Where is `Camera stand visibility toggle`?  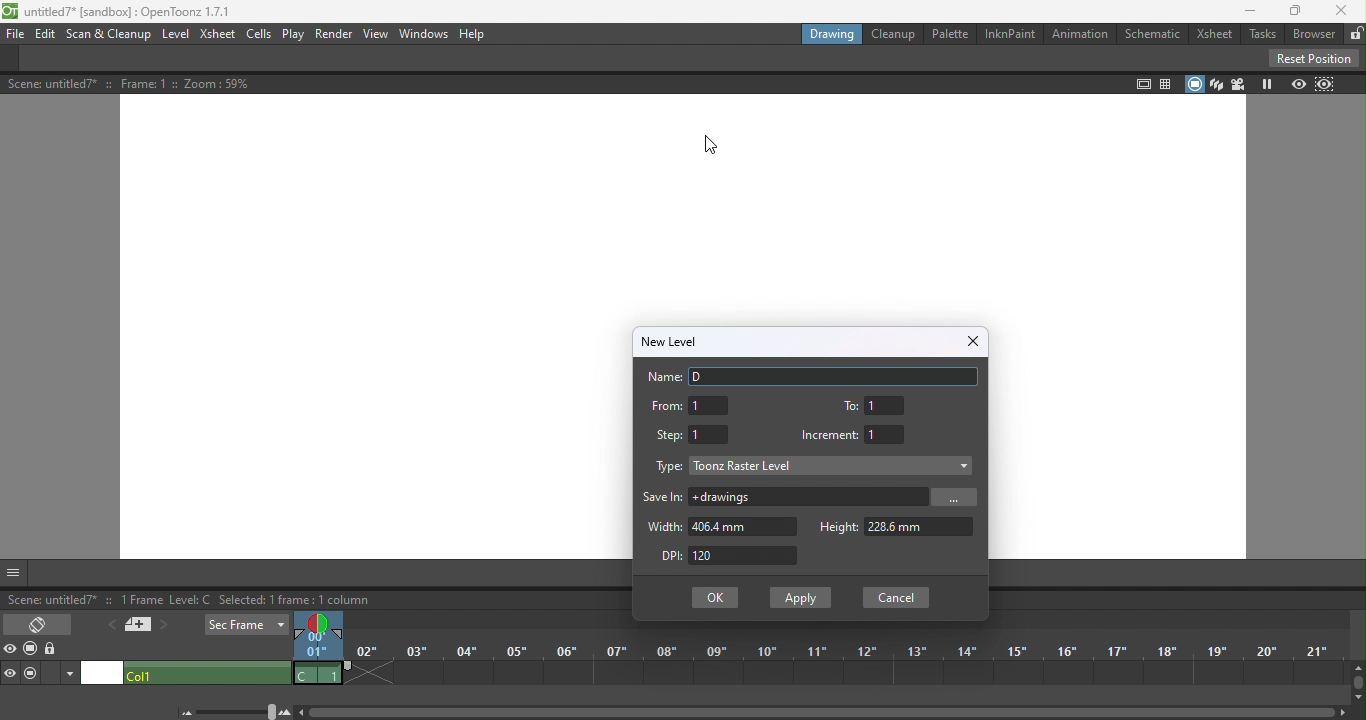 Camera stand visibility toggle is located at coordinates (31, 673).